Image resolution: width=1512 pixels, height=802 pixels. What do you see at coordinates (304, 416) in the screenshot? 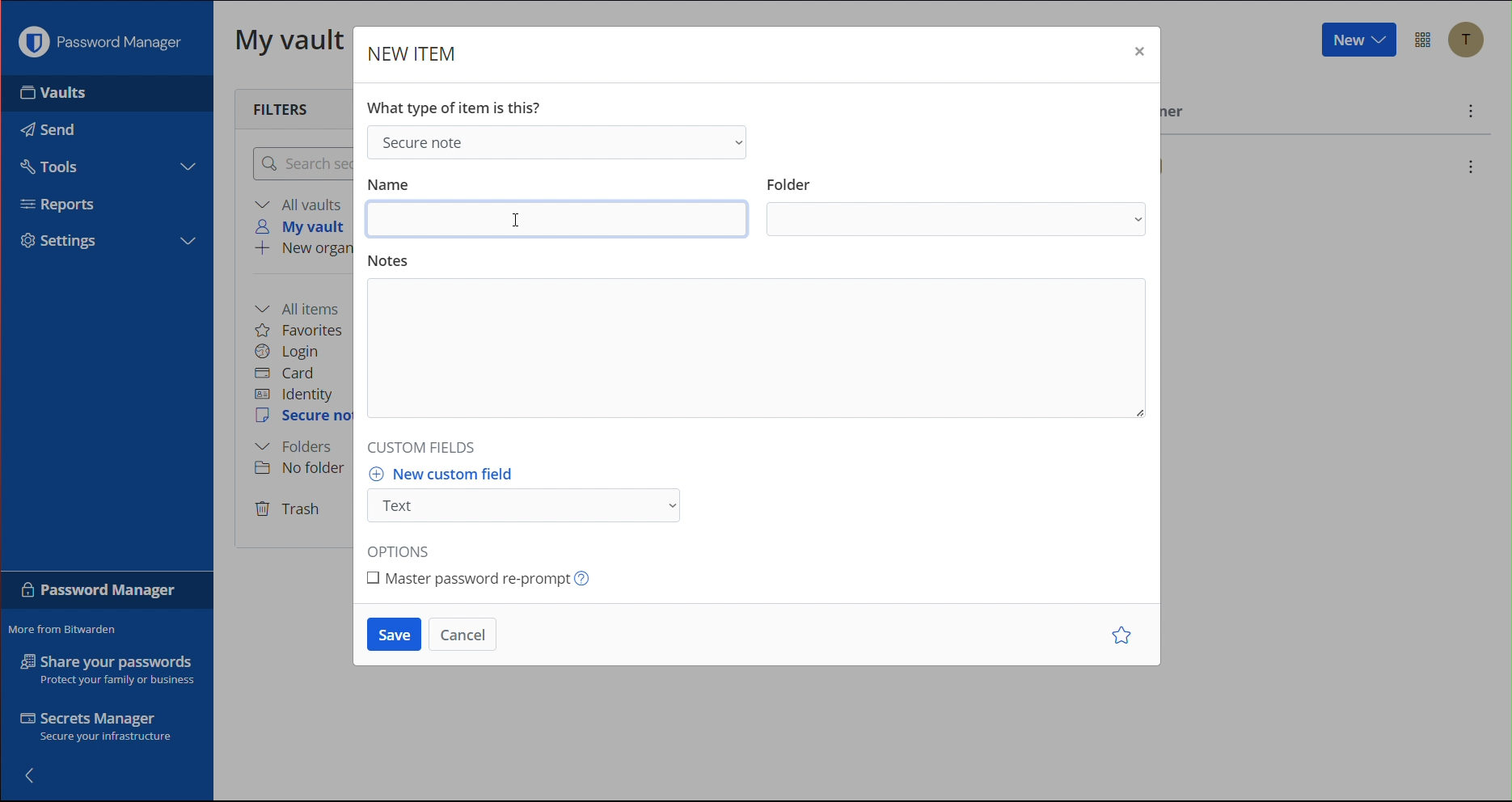
I see `Secure Note` at bounding box center [304, 416].